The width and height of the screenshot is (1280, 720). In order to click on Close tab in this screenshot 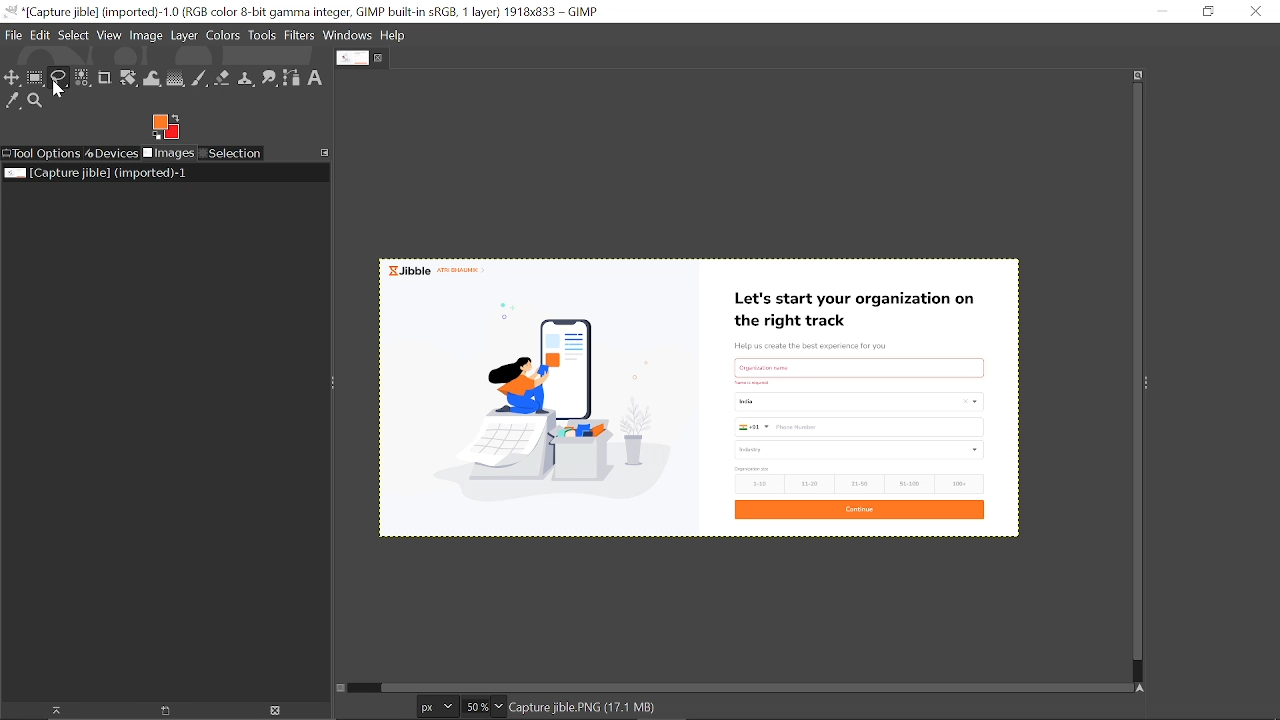, I will do `click(381, 58)`.